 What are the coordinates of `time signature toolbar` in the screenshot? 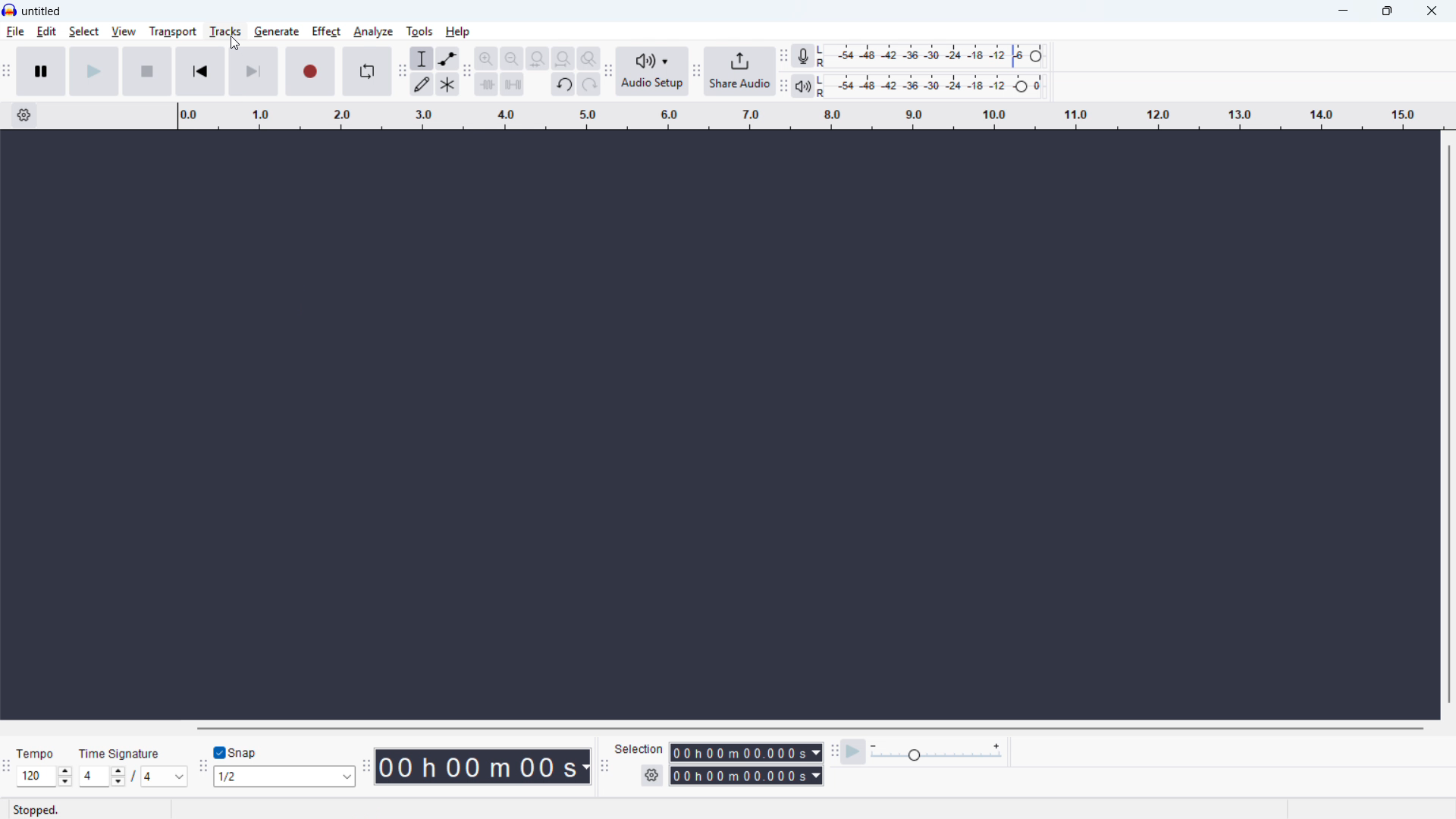 It's located at (8, 766).